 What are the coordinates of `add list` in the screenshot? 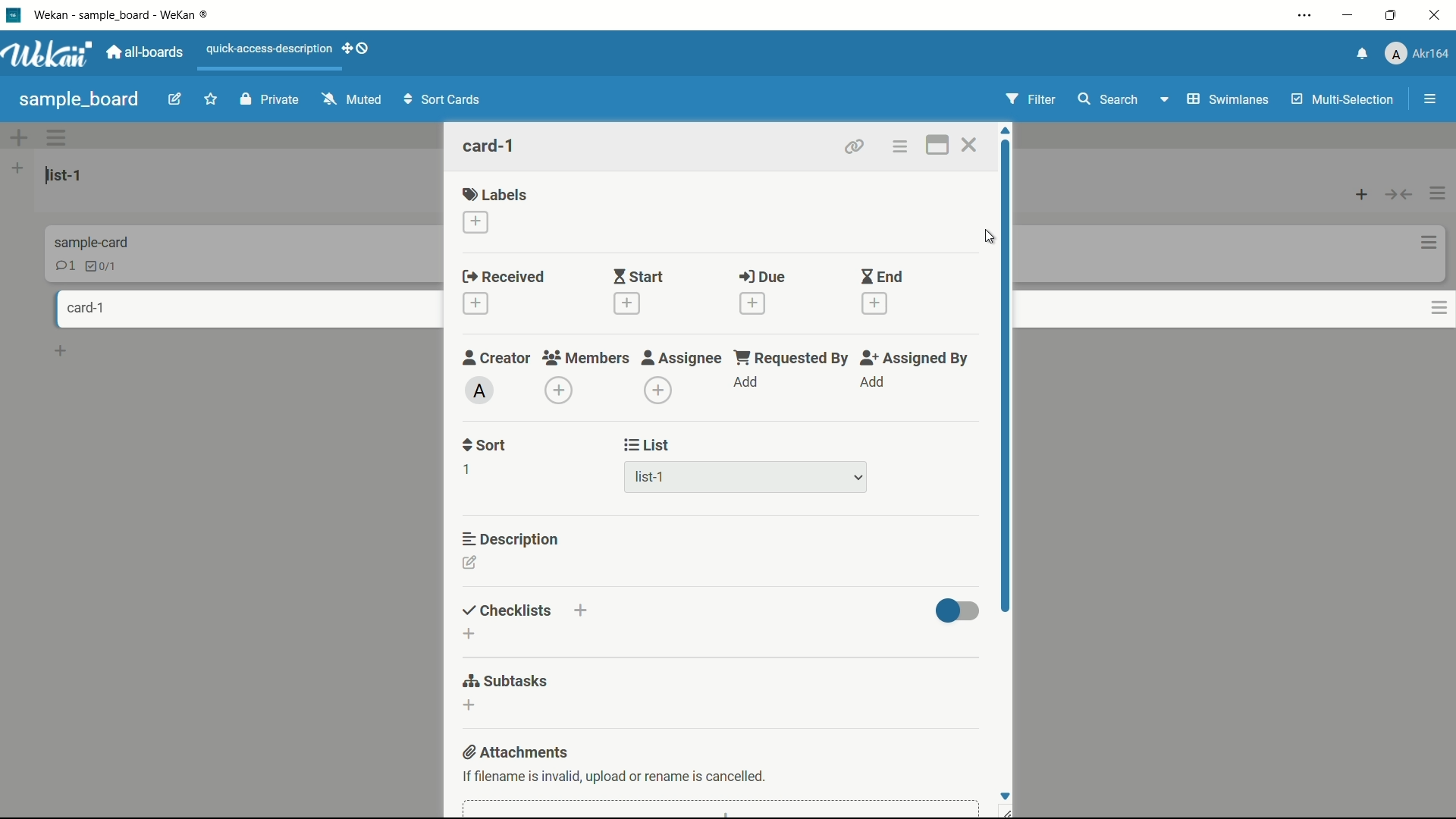 It's located at (19, 168).